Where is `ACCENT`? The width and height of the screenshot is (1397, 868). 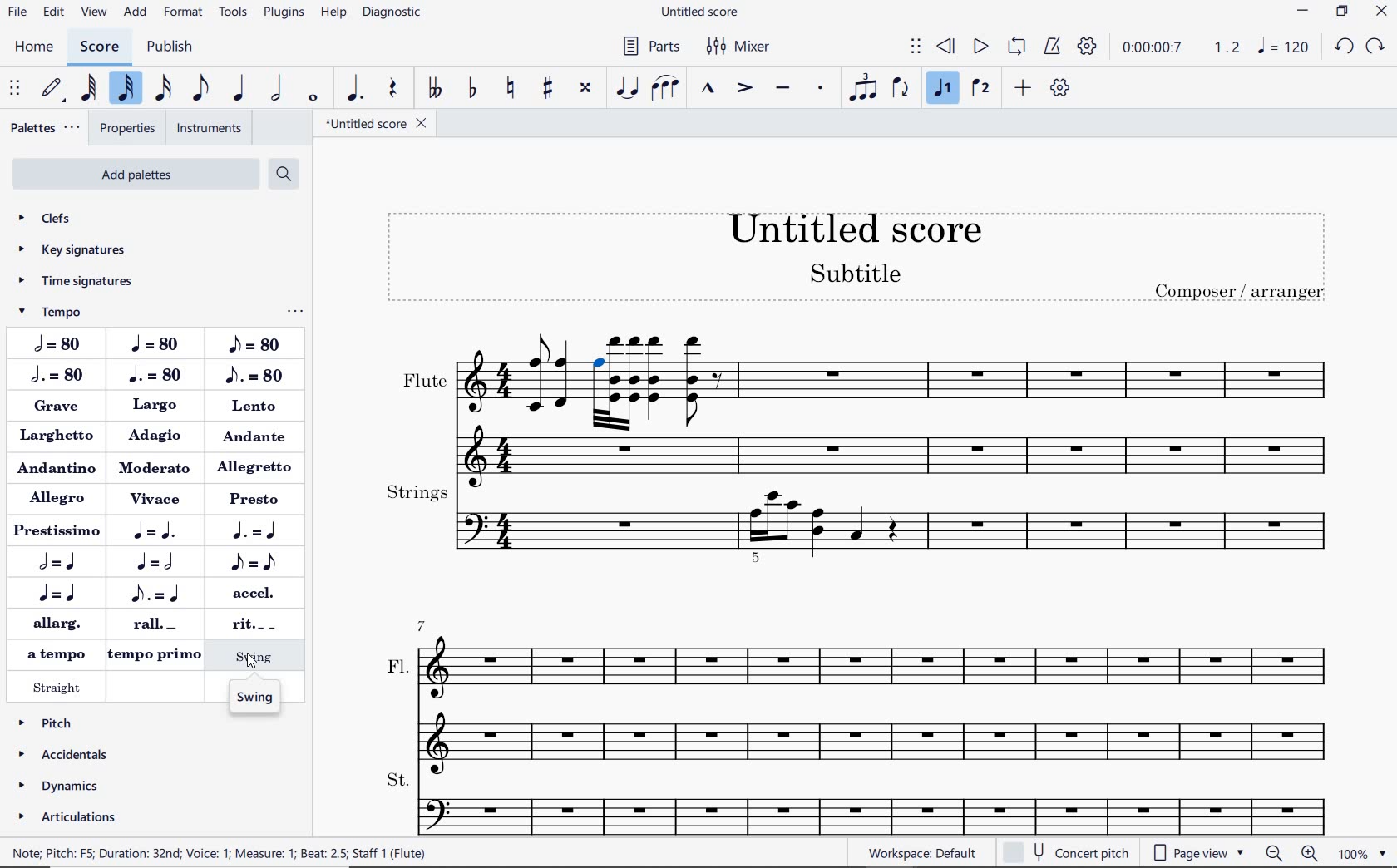
ACCENT is located at coordinates (743, 86).